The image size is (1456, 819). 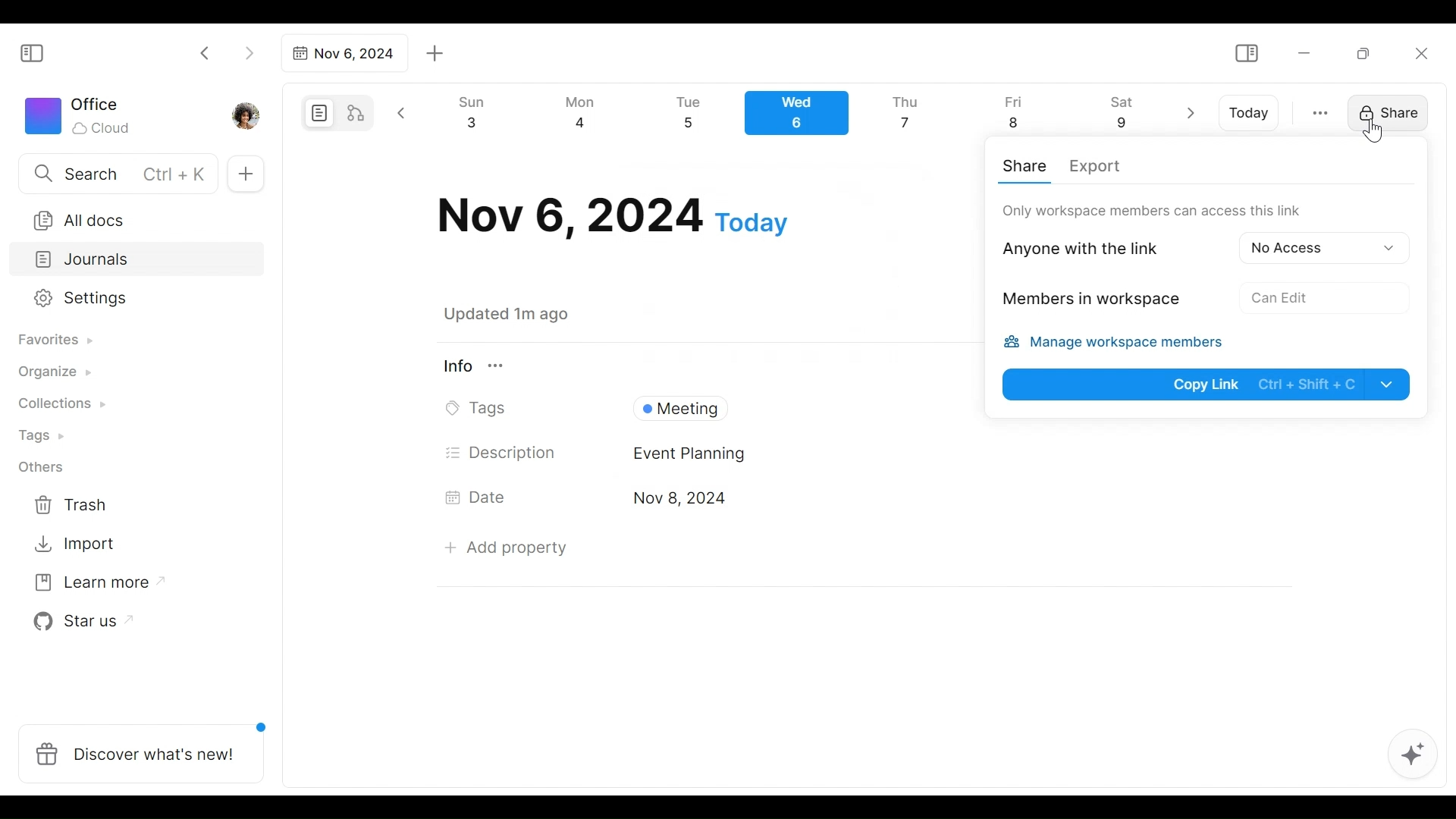 I want to click on Show/Hide Sidebar, so click(x=39, y=52).